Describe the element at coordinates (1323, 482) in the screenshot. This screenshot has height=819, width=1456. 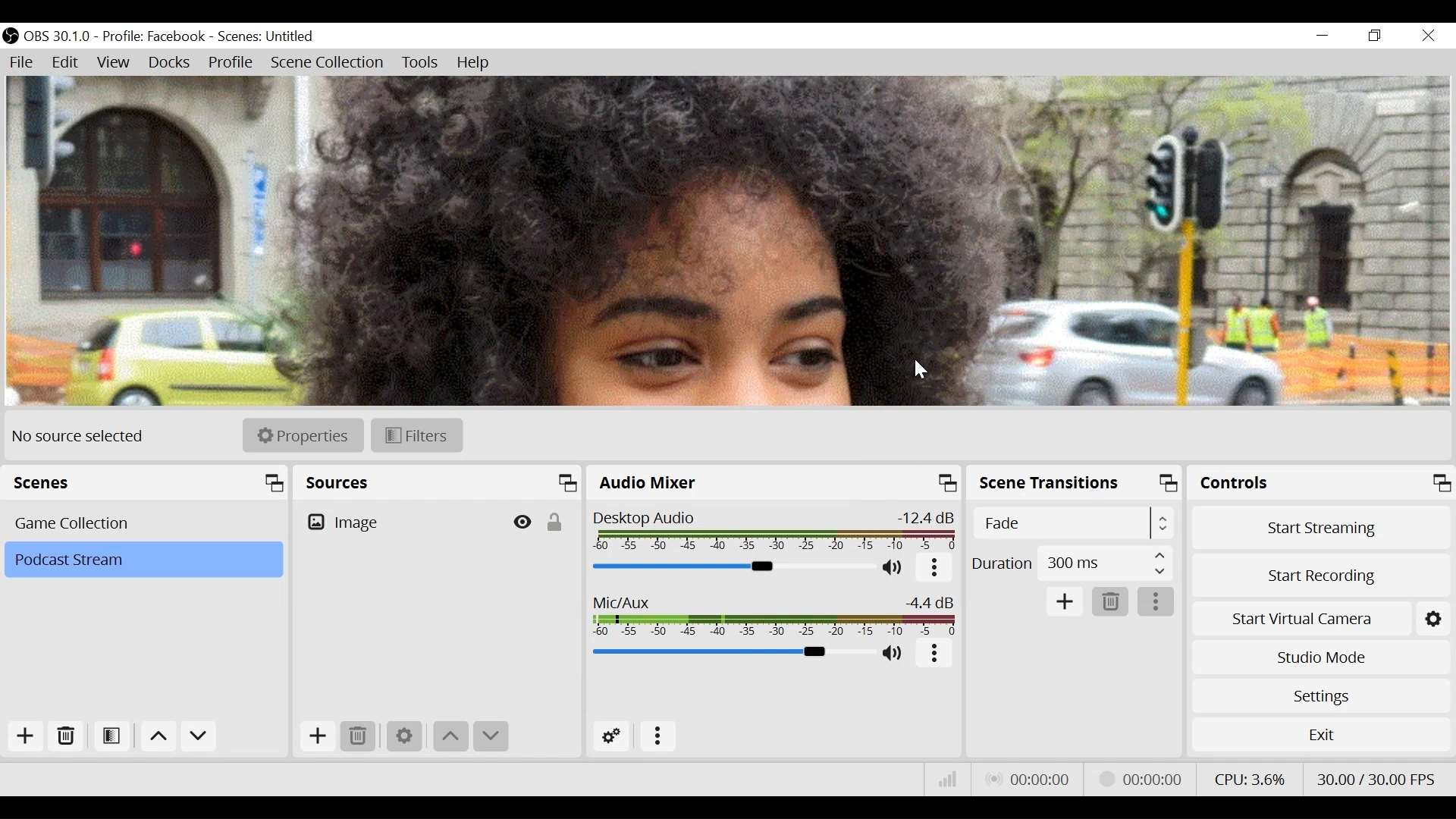
I see `Controls` at that location.